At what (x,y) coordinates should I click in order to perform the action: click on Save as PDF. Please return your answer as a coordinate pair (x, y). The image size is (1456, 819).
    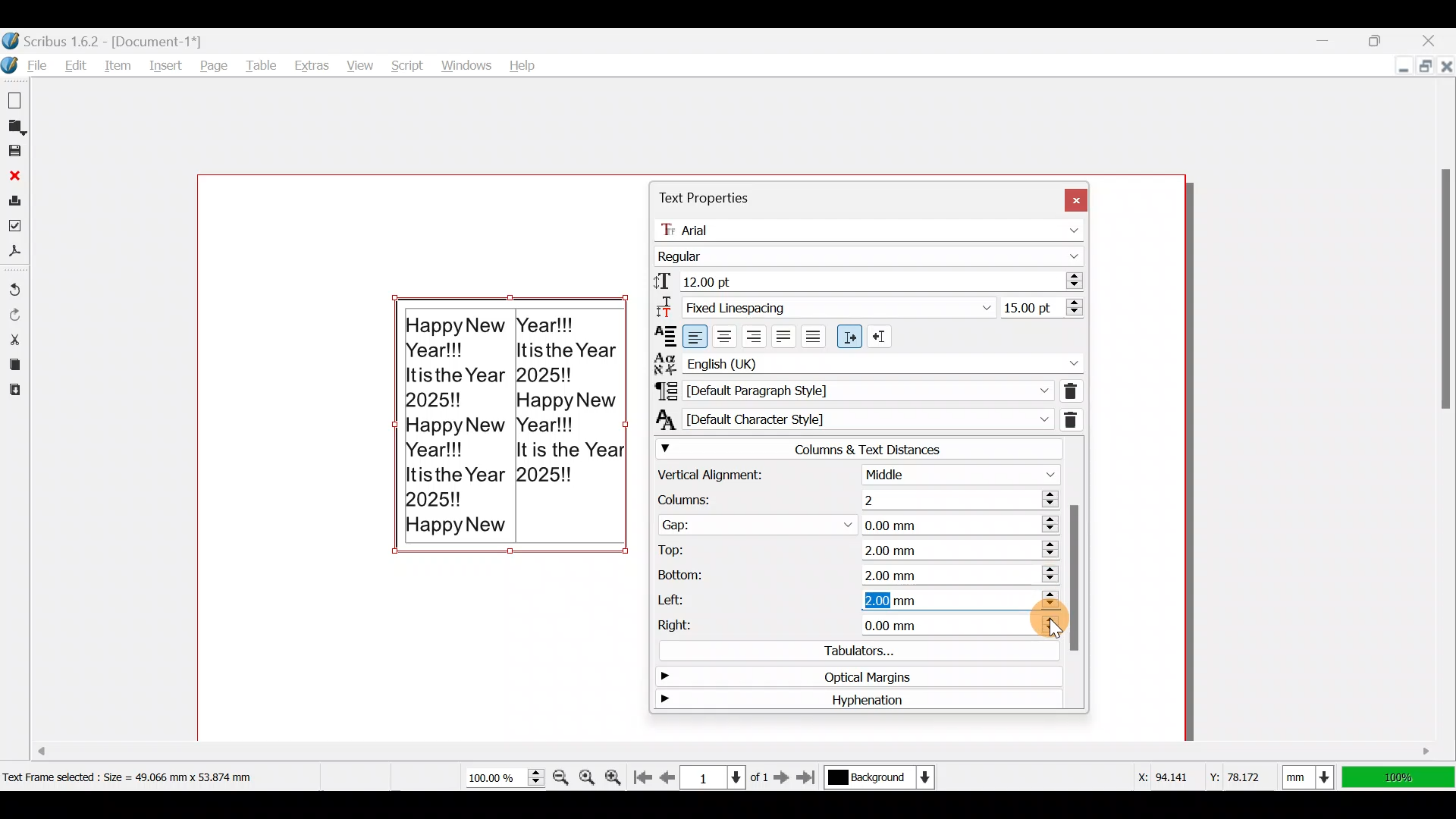
    Looking at the image, I should click on (17, 254).